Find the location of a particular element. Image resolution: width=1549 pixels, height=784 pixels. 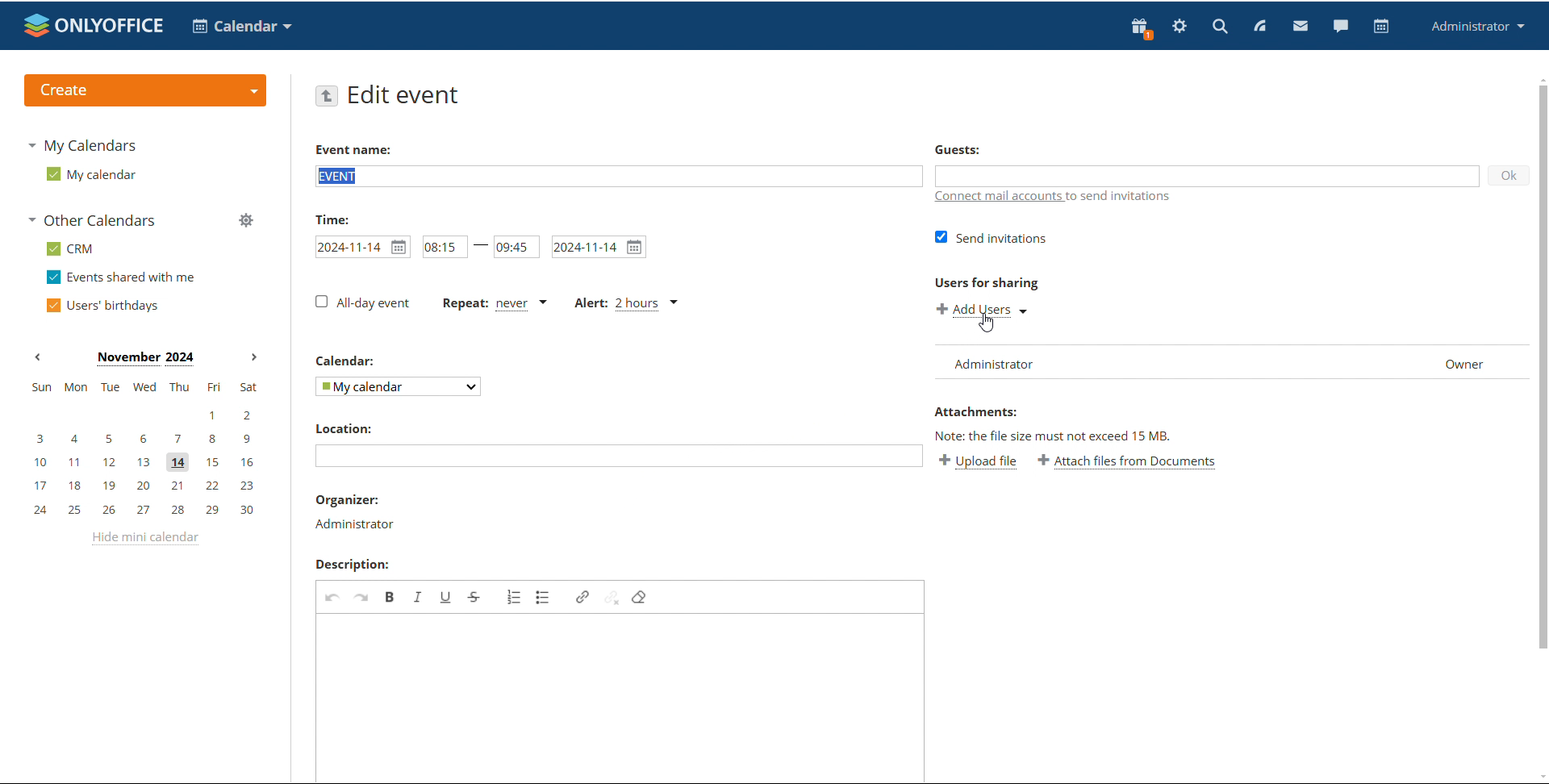

set end time is located at coordinates (516, 246).